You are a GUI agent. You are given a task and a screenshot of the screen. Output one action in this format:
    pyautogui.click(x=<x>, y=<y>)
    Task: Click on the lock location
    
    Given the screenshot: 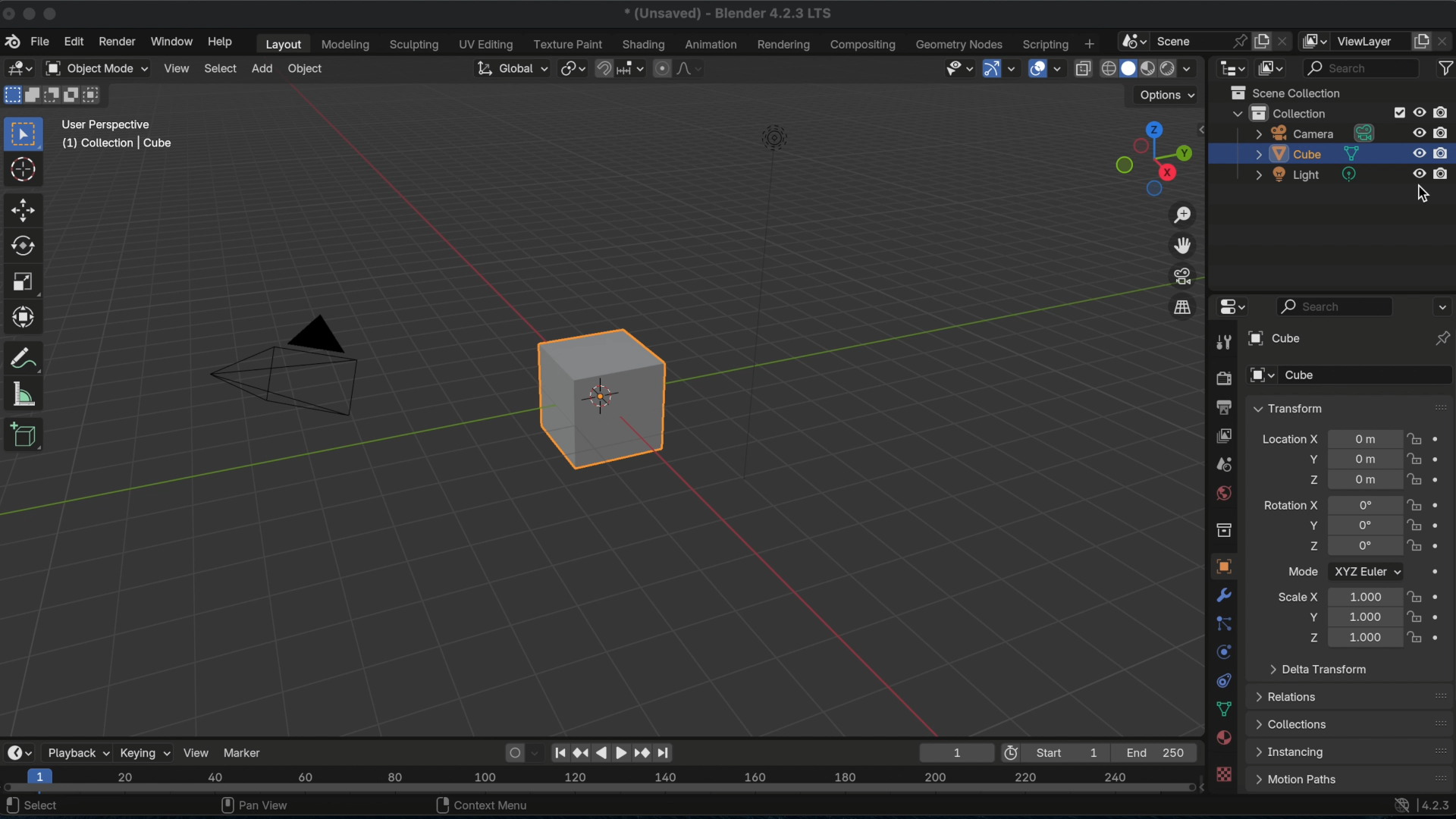 What is the action you would take?
    pyautogui.click(x=1415, y=458)
    